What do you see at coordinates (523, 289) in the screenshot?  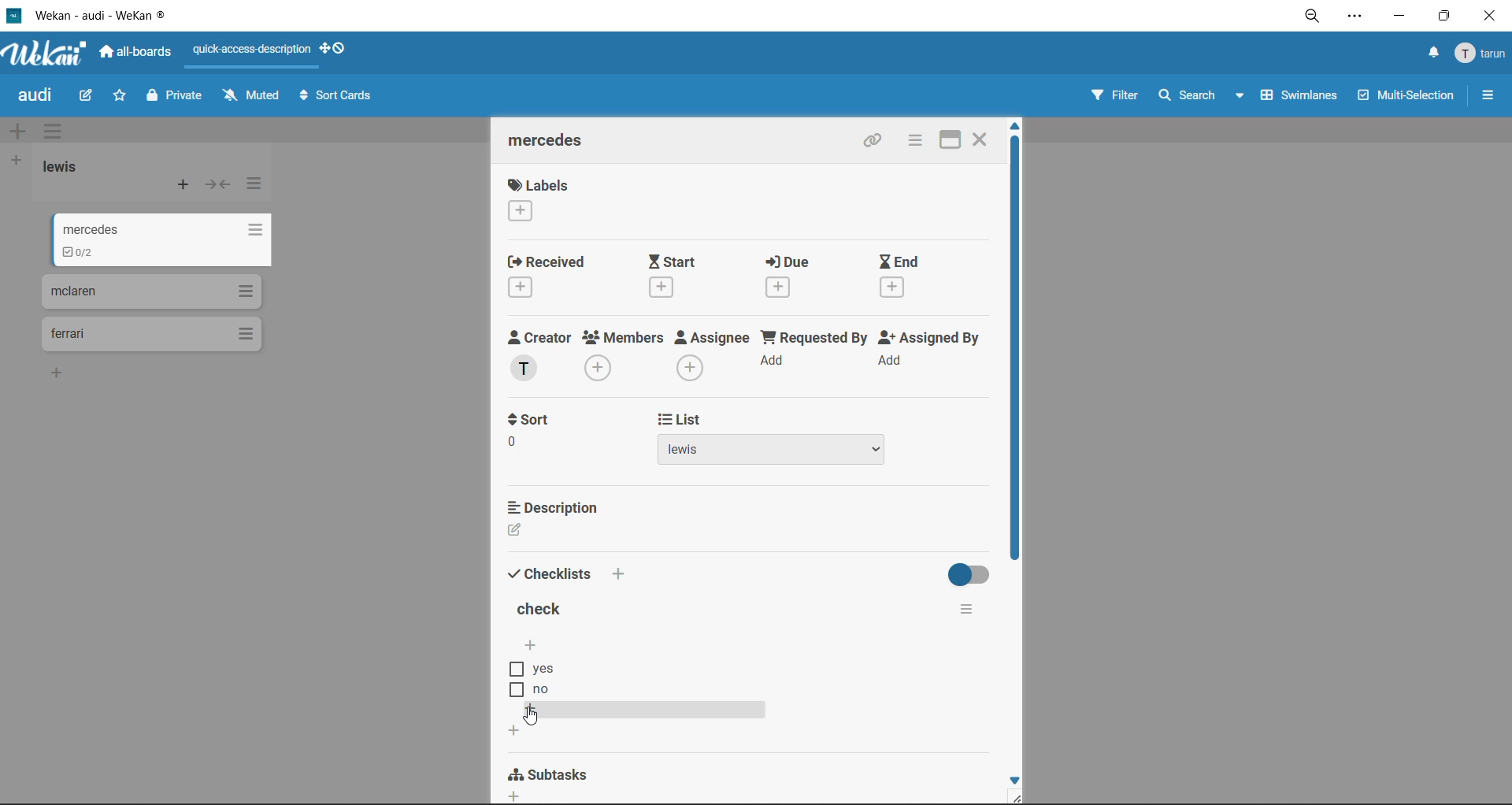 I see `Add Recieved` at bounding box center [523, 289].